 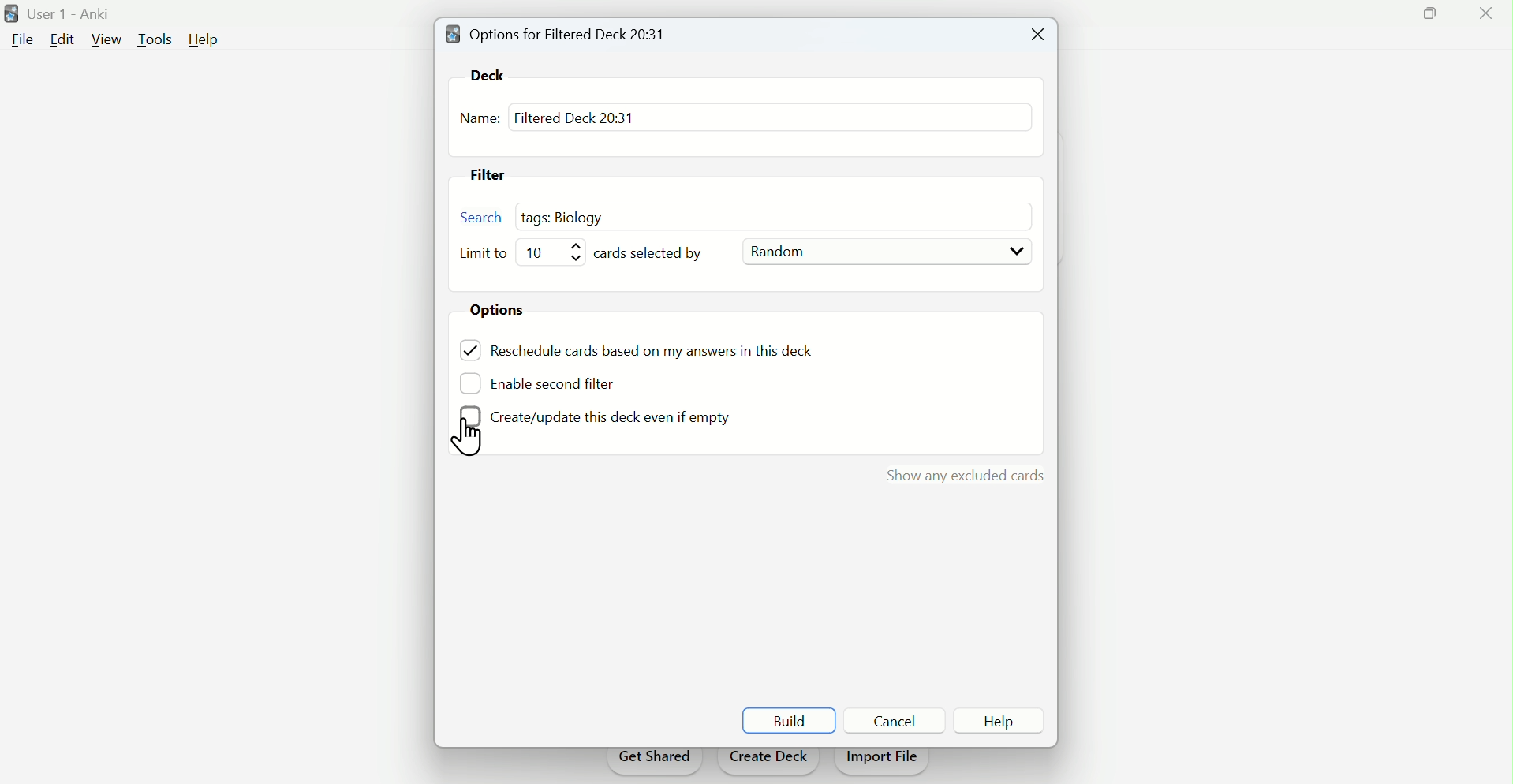 What do you see at coordinates (564, 382) in the screenshot?
I see ` Enable second Filter` at bounding box center [564, 382].